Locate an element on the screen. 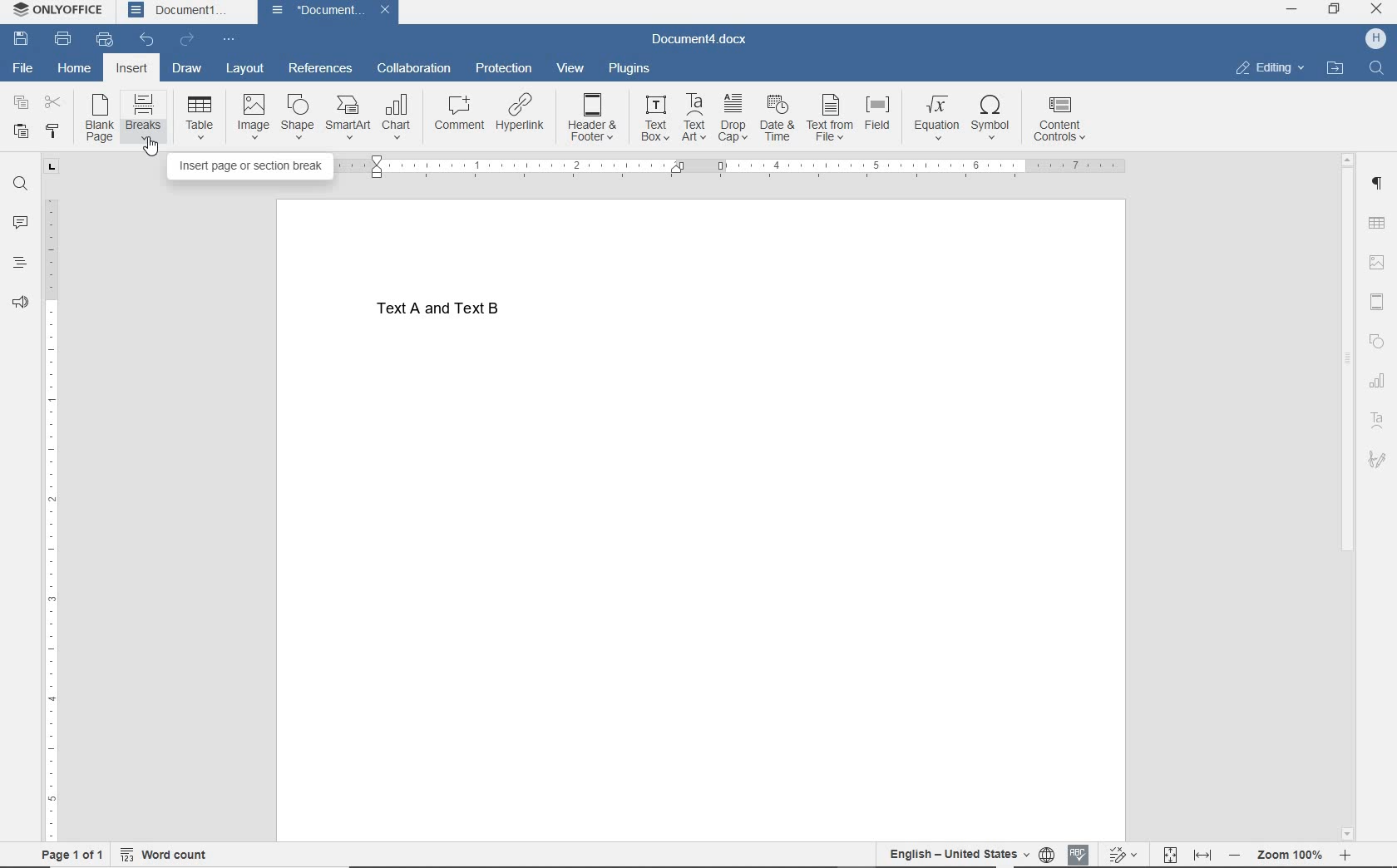 This screenshot has height=868, width=1397. close is located at coordinates (1377, 9).